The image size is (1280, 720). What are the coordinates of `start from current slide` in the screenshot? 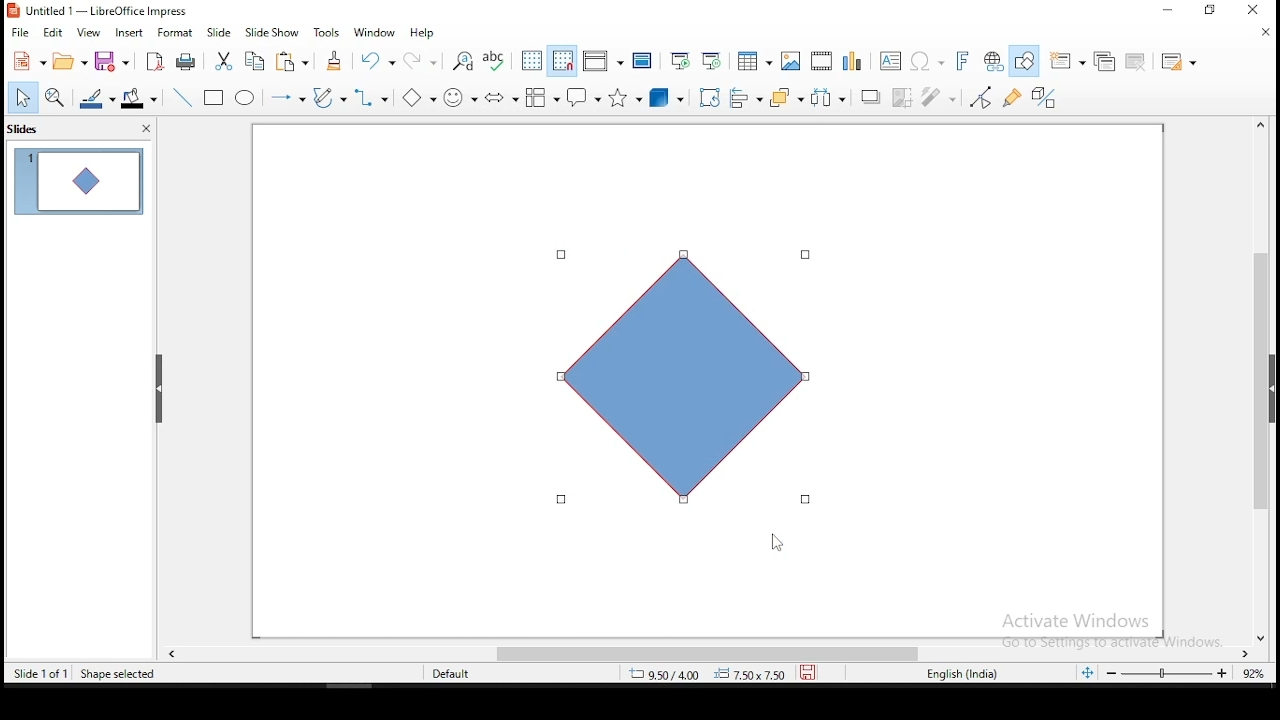 It's located at (707, 61).